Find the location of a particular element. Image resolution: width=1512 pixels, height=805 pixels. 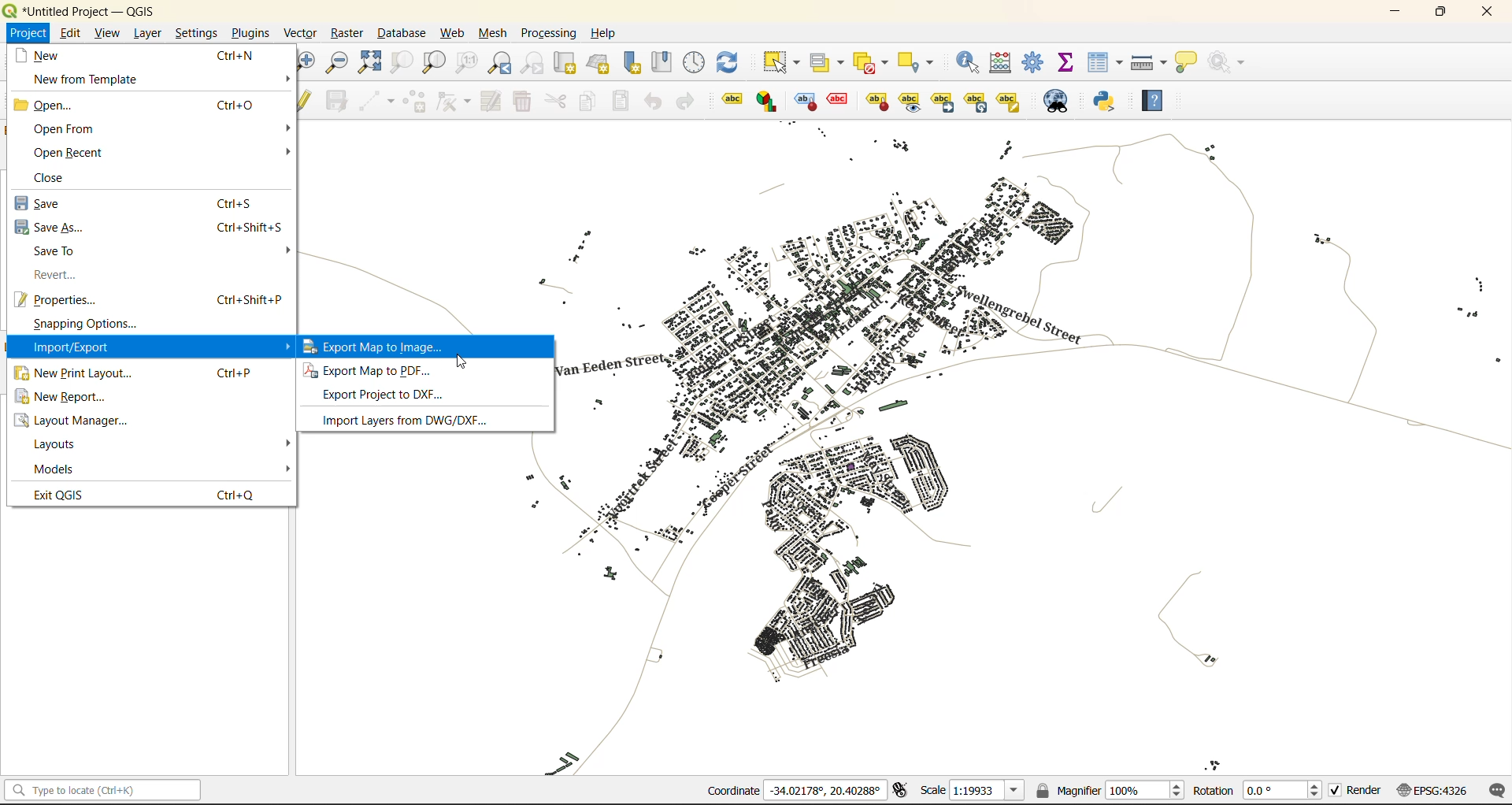

identify features is located at coordinates (969, 61).